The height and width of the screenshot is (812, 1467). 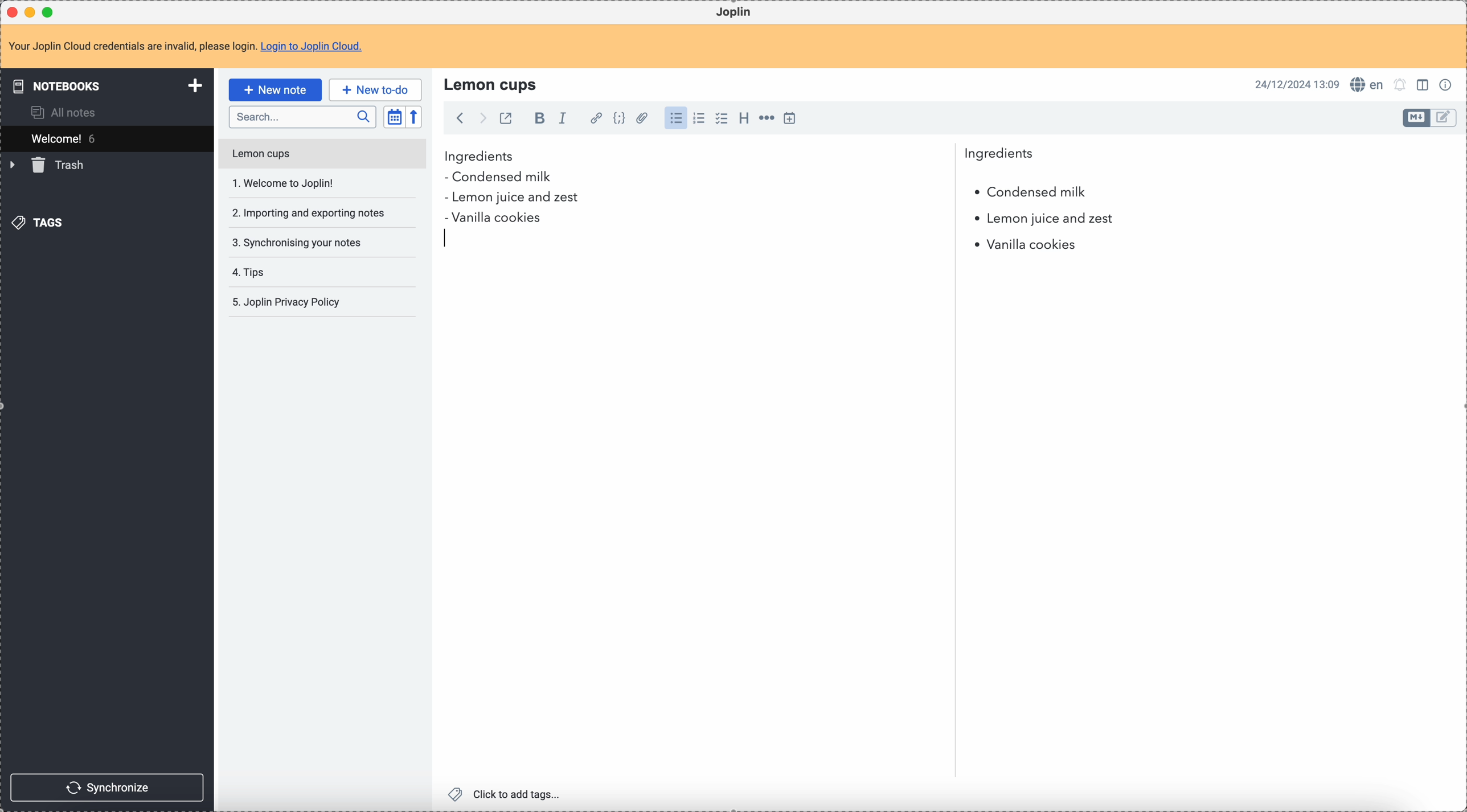 I want to click on code, so click(x=619, y=119).